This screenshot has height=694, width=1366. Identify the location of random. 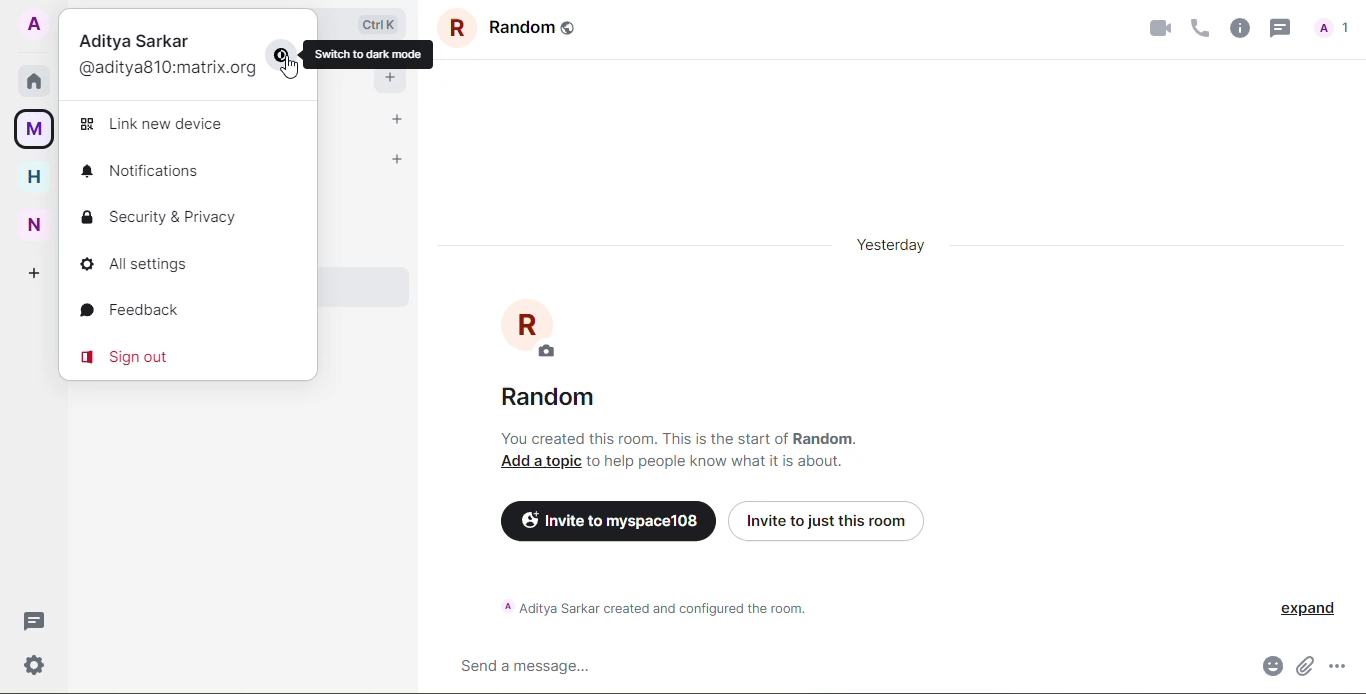
(554, 398).